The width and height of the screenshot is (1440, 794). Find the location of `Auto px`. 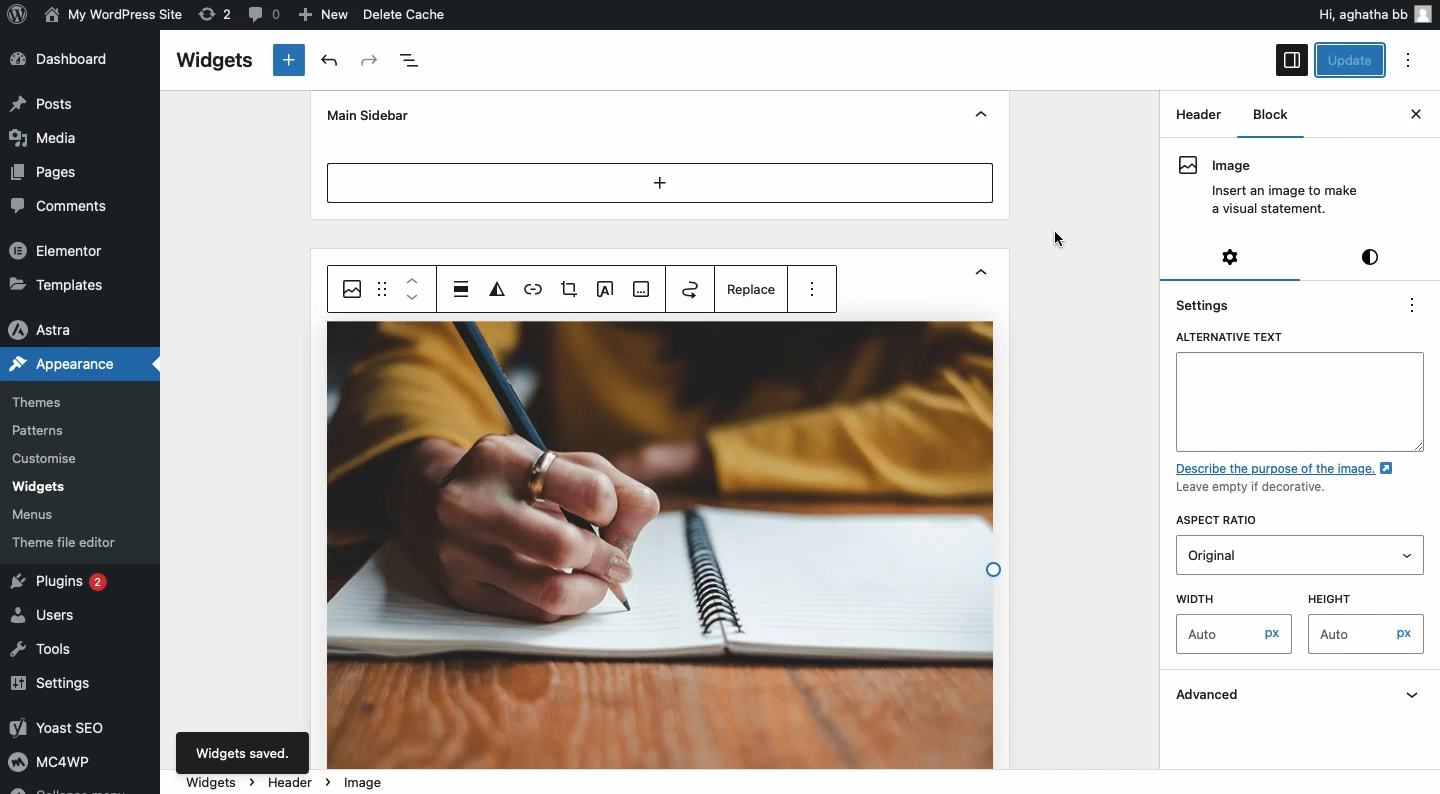

Auto px is located at coordinates (1369, 636).